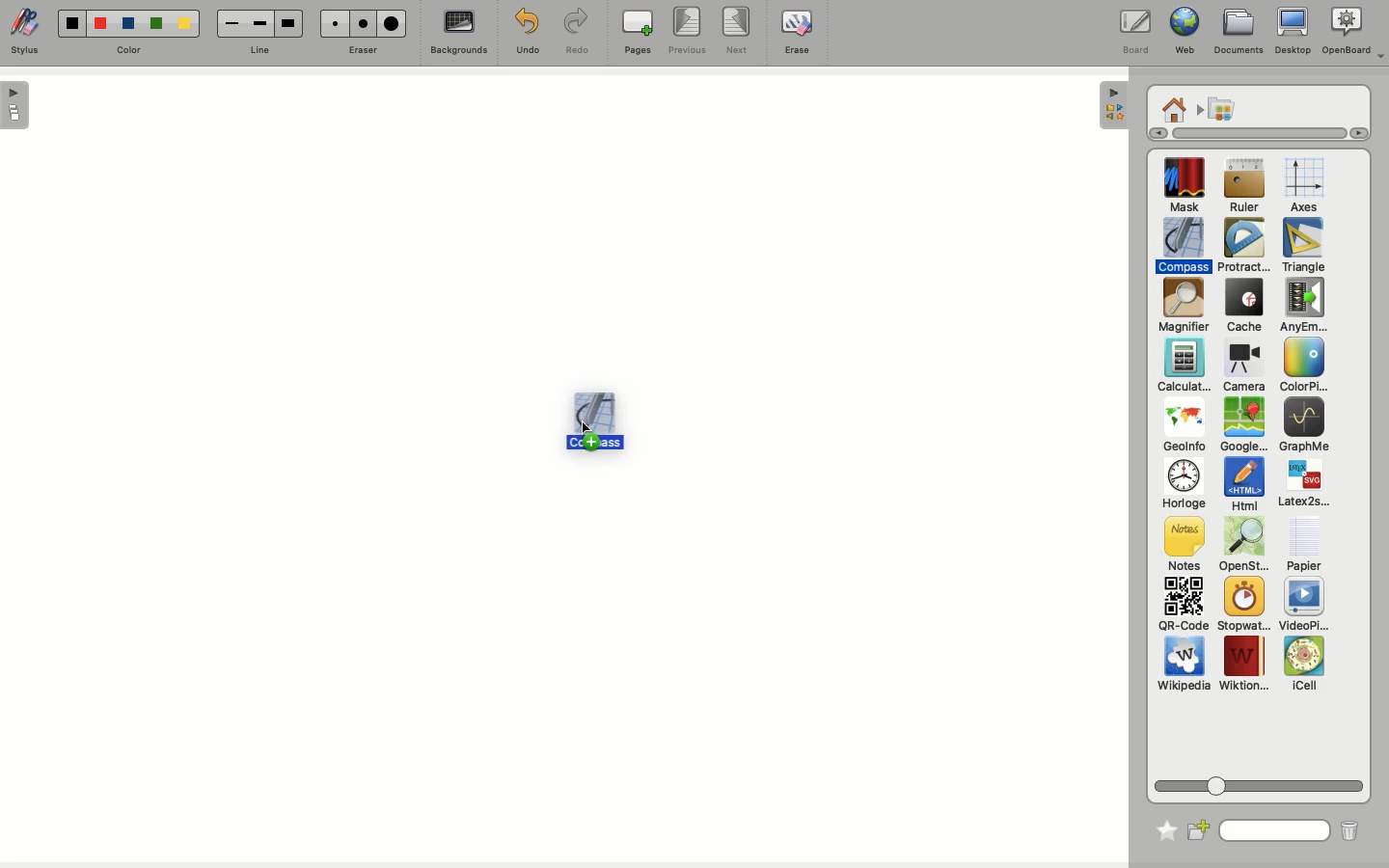 Image resolution: width=1389 pixels, height=868 pixels. Describe the element at coordinates (183, 25) in the screenshot. I see `color5` at that location.